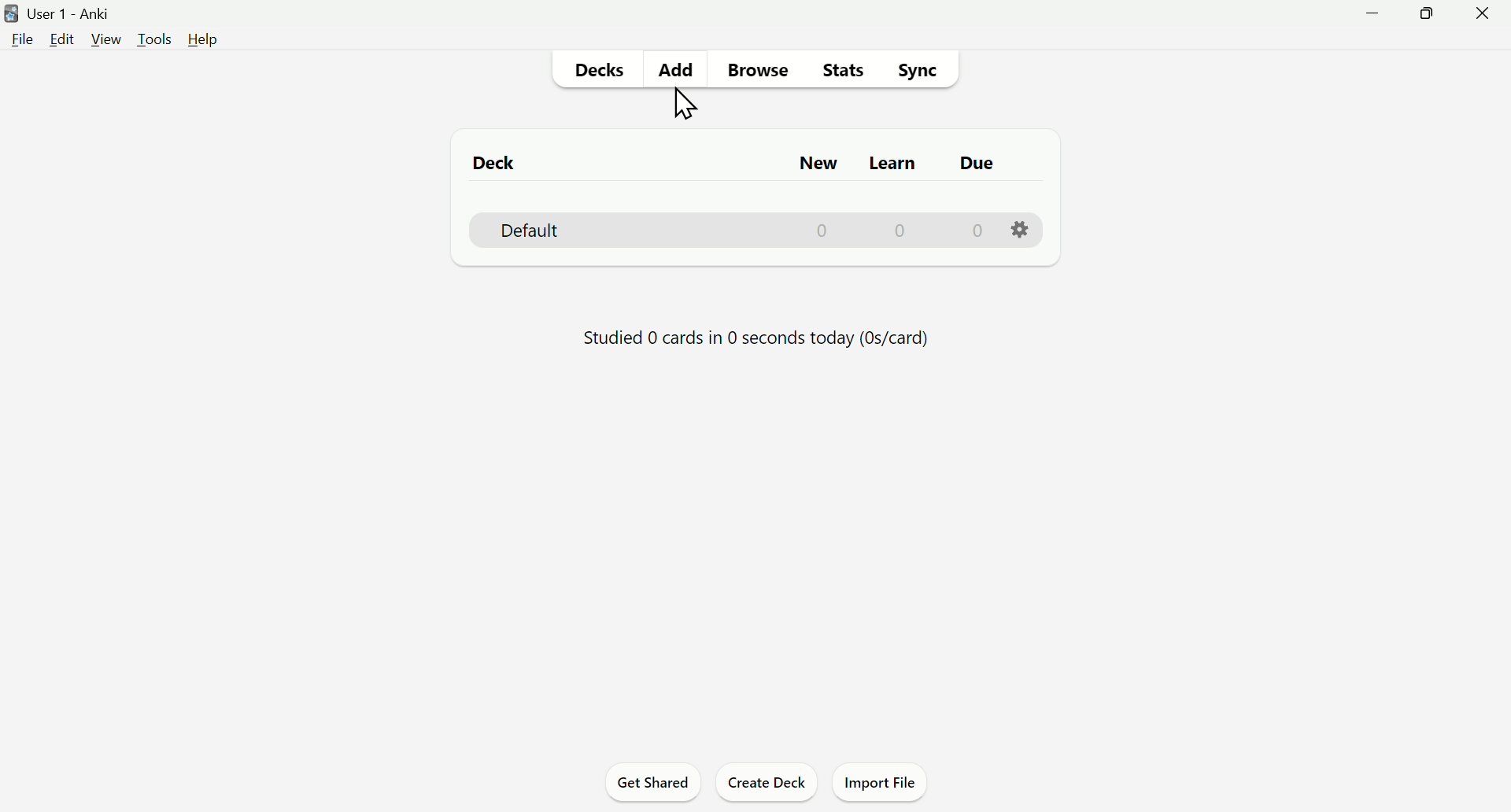  I want to click on Deck, so click(504, 164).